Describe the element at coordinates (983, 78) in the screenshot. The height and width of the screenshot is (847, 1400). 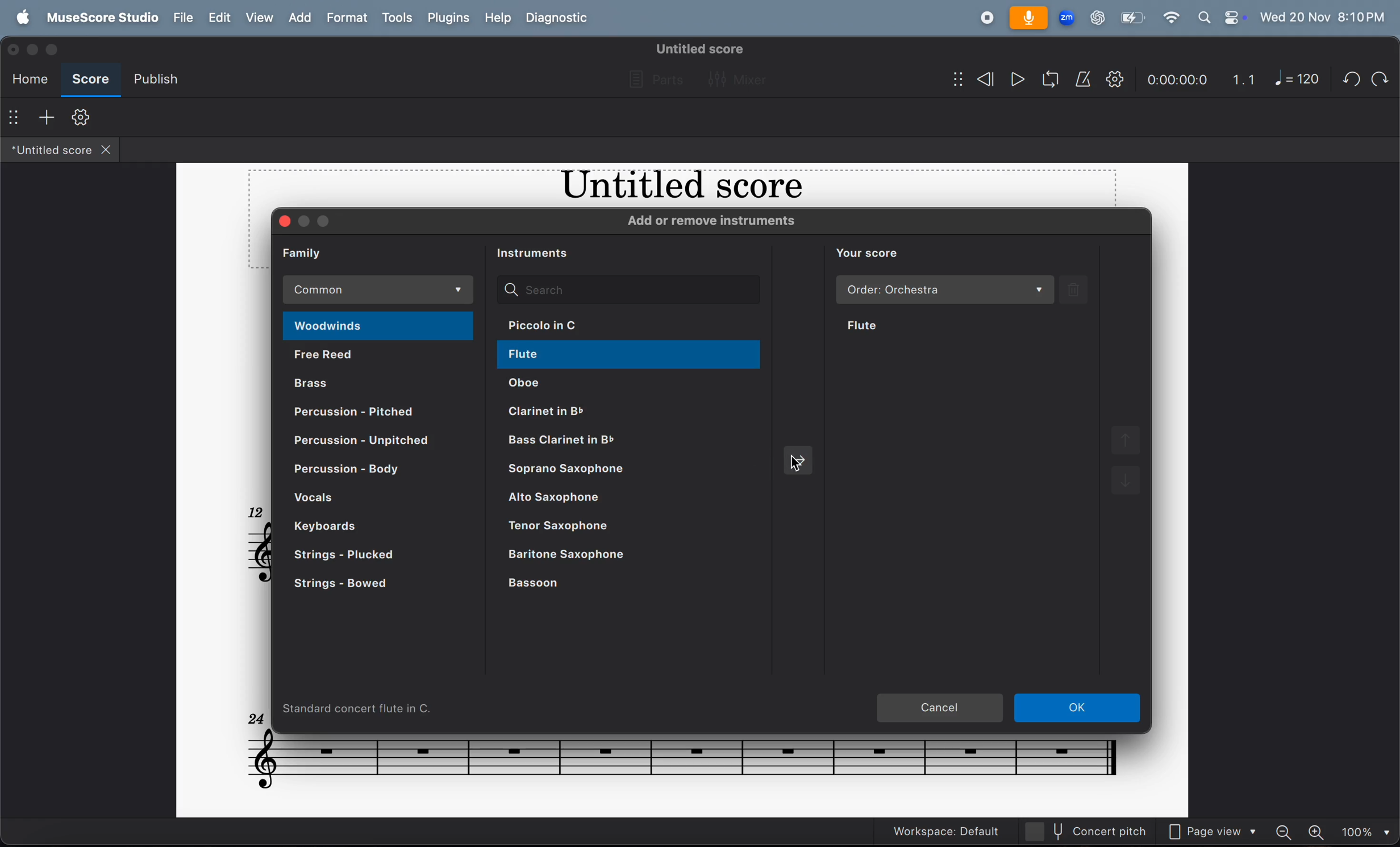
I see `rewind` at that location.